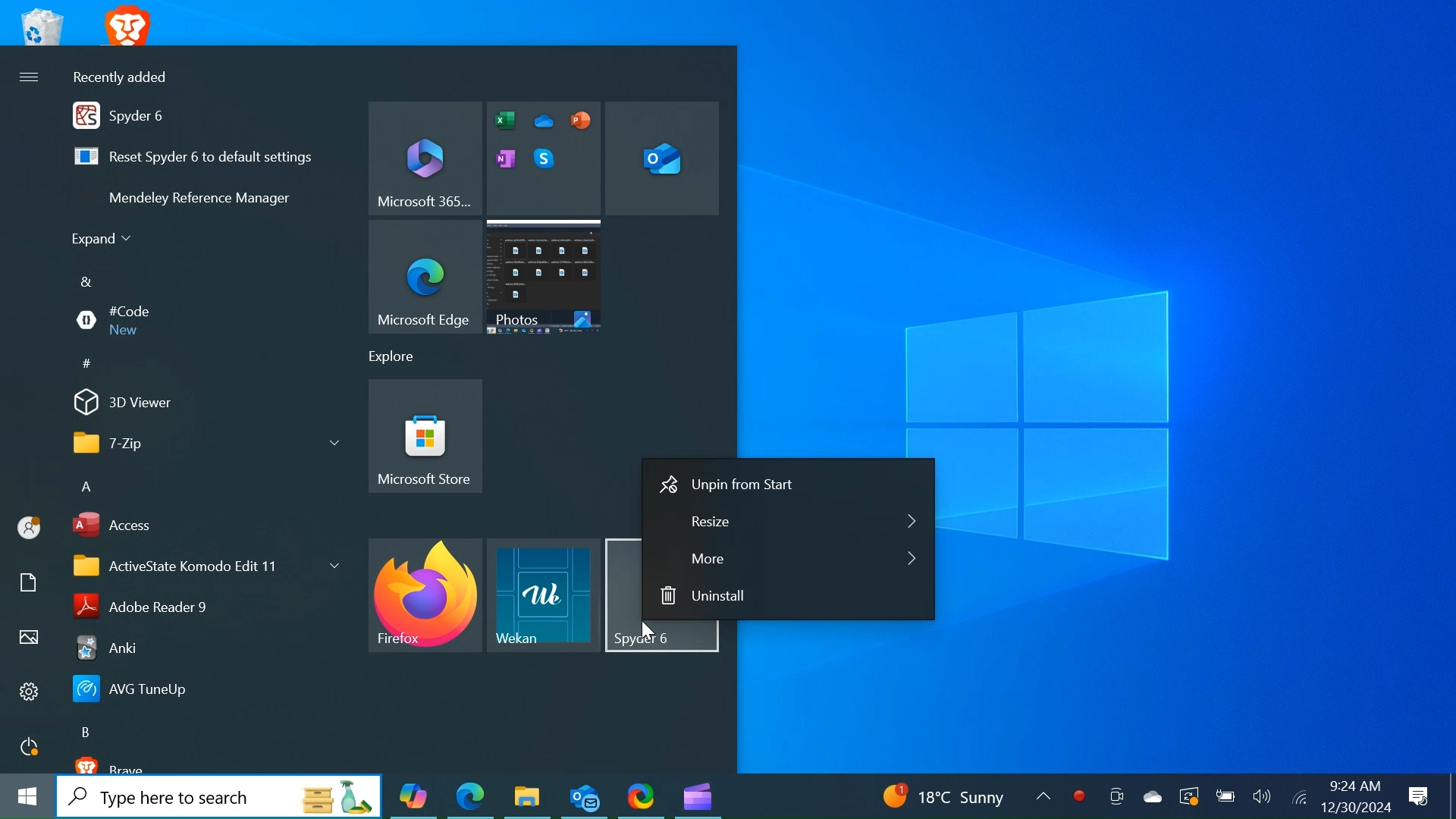  I want to click on Expand, so click(106, 240).